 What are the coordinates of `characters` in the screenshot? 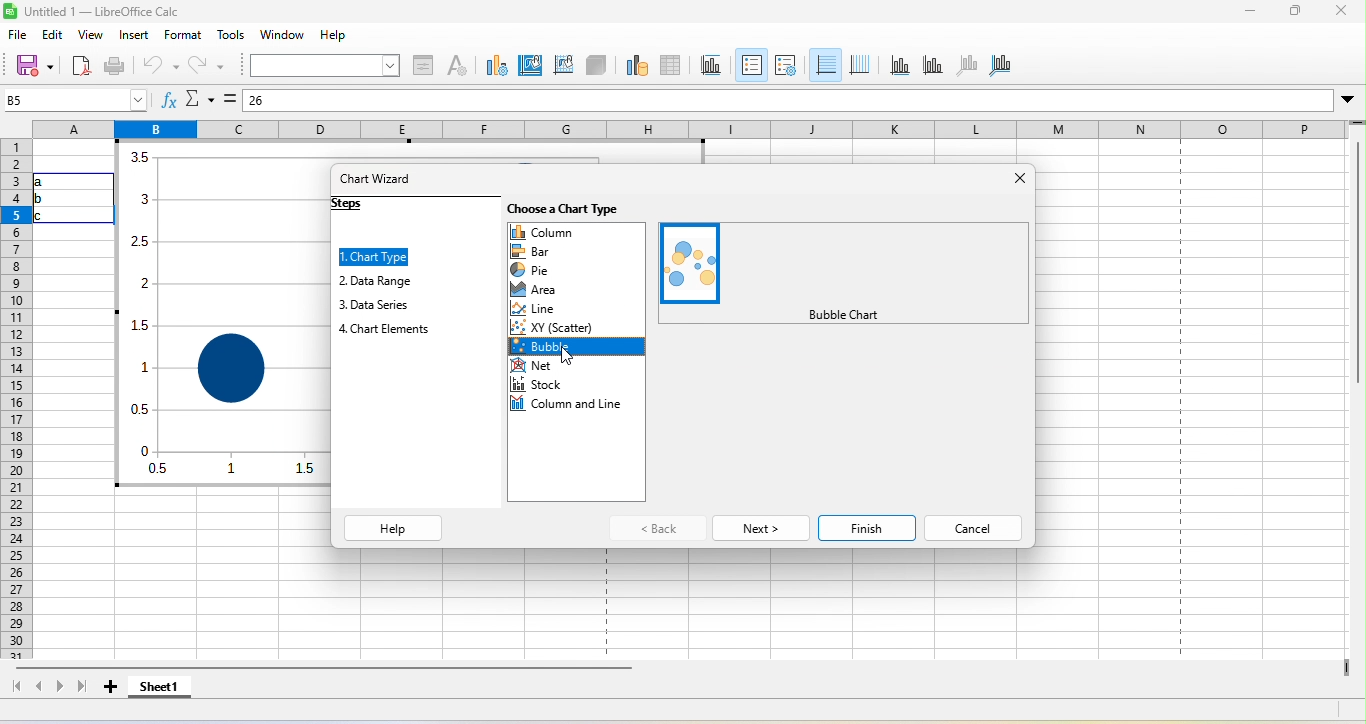 It's located at (457, 64).